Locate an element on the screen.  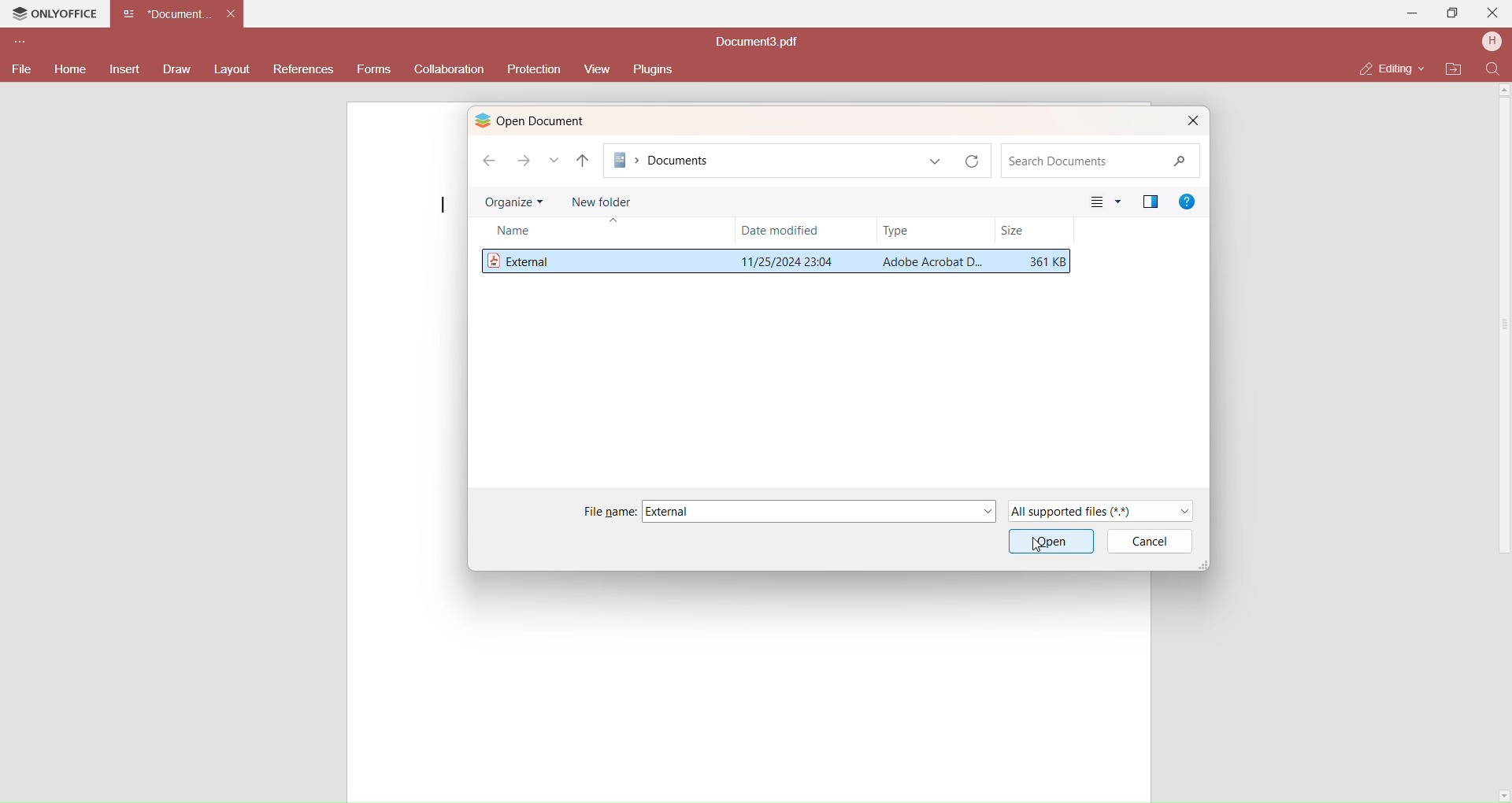
Layout is located at coordinates (232, 69).